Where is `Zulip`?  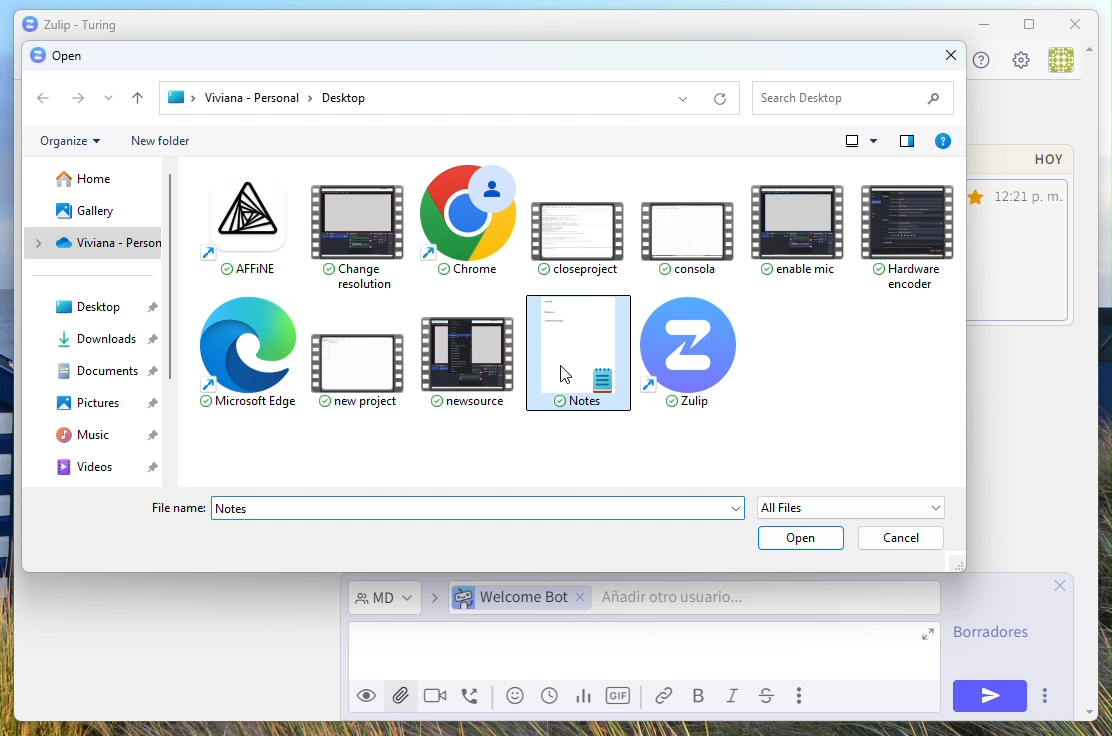
Zulip is located at coordinates (691, 353).